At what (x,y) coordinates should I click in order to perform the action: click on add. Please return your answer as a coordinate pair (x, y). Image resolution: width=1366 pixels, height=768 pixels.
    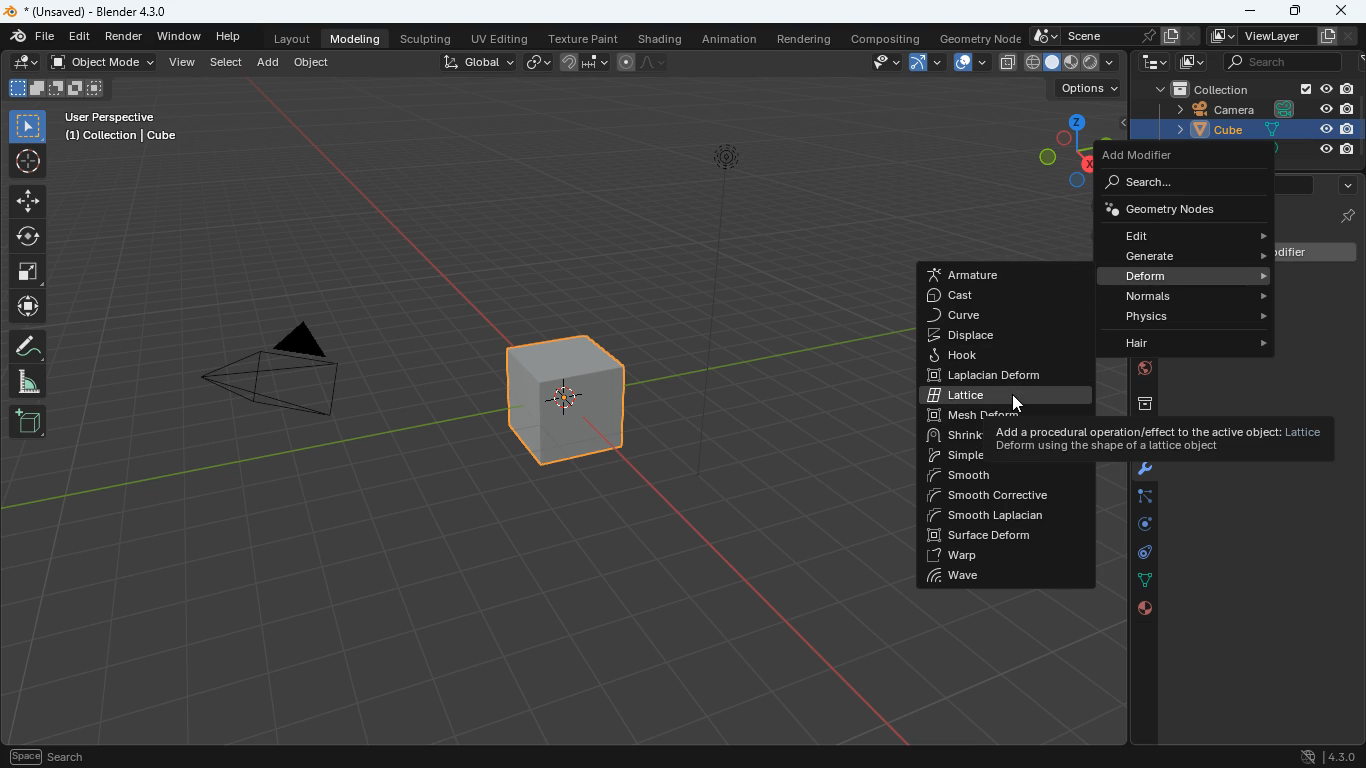
    Looking at the image, I should click on (266, 63).